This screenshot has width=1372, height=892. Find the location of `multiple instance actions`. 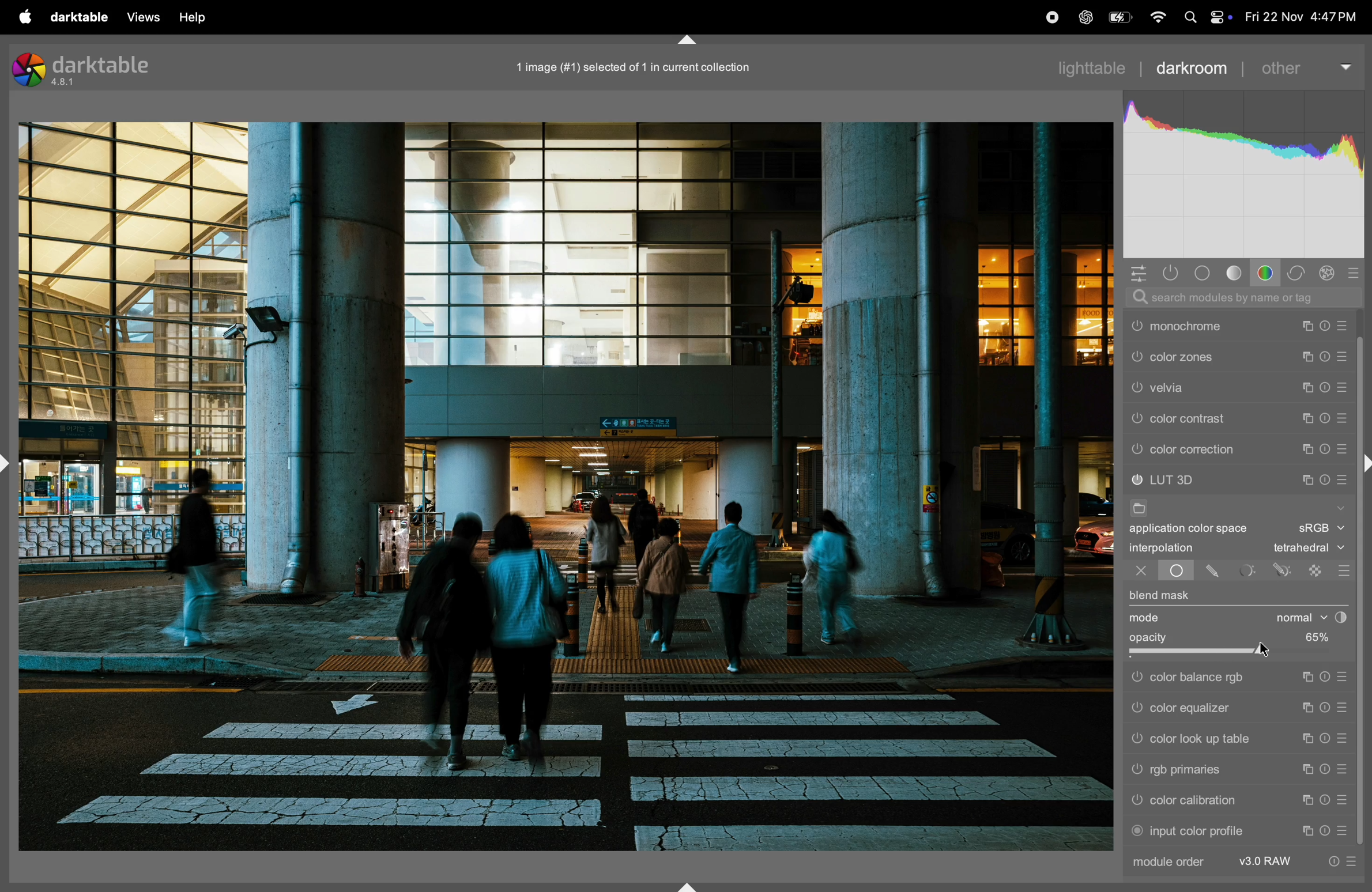

multiple instance actions is located at coordinates (1307, 769).